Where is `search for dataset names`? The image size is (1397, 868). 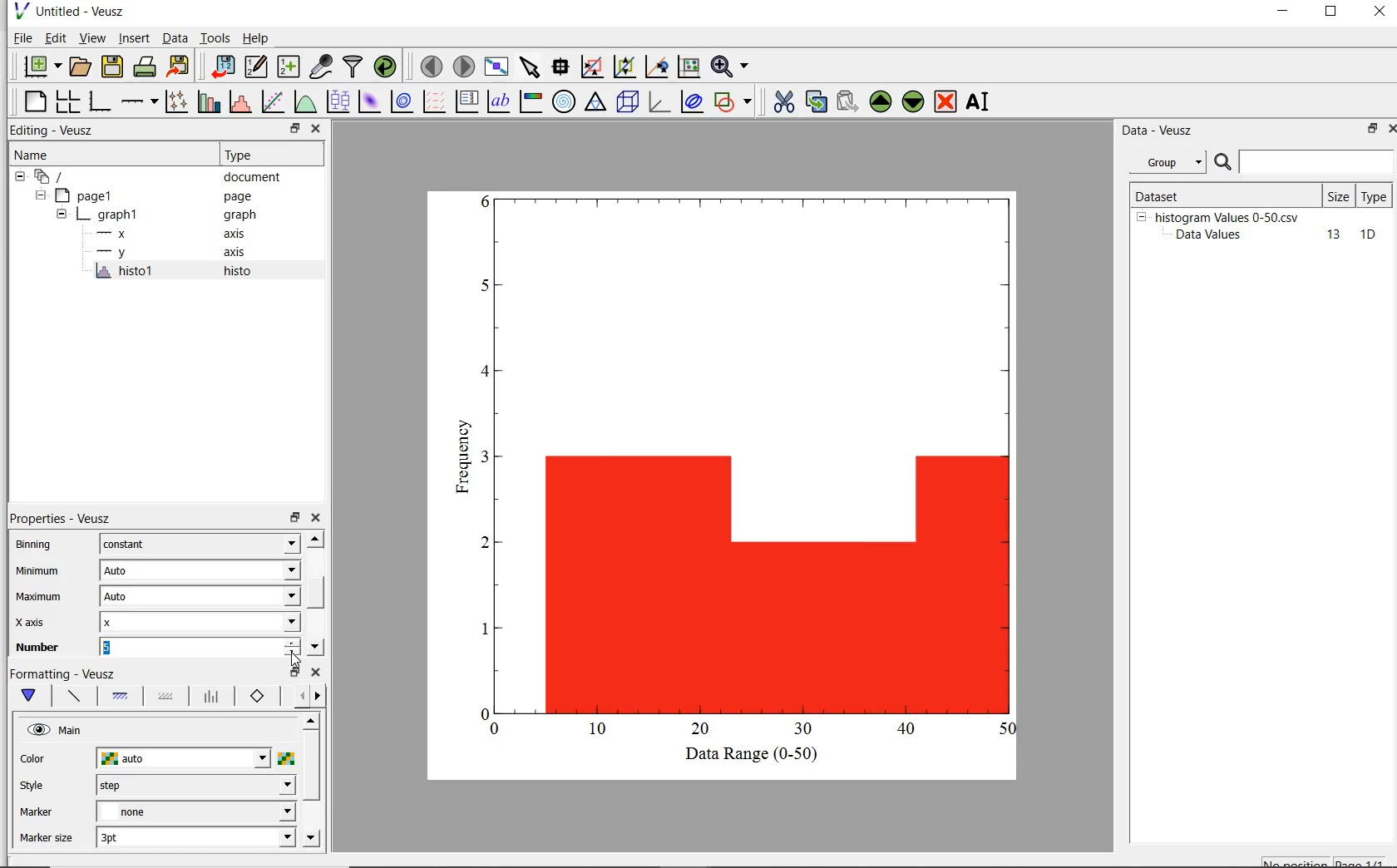
search for dataset names is located at coordinates (1317, 162).